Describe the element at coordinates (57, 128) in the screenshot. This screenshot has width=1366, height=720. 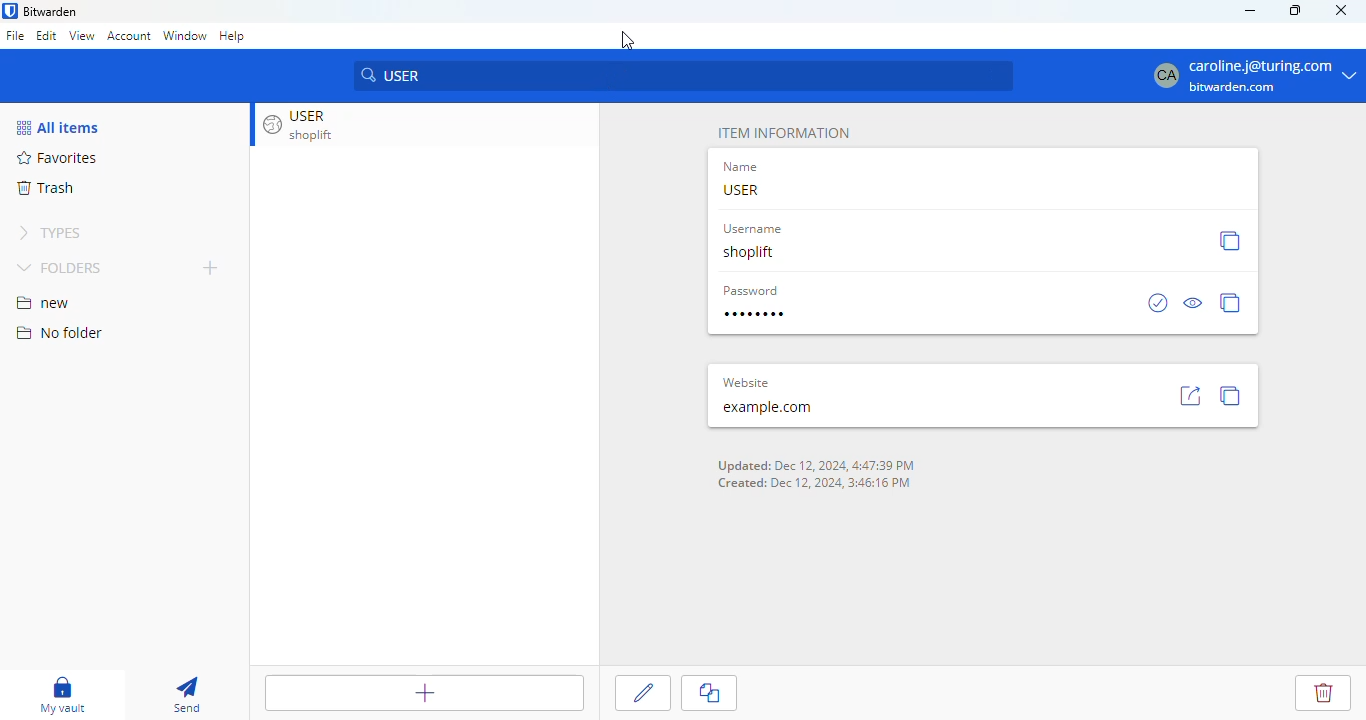
I see `All items` at that location.